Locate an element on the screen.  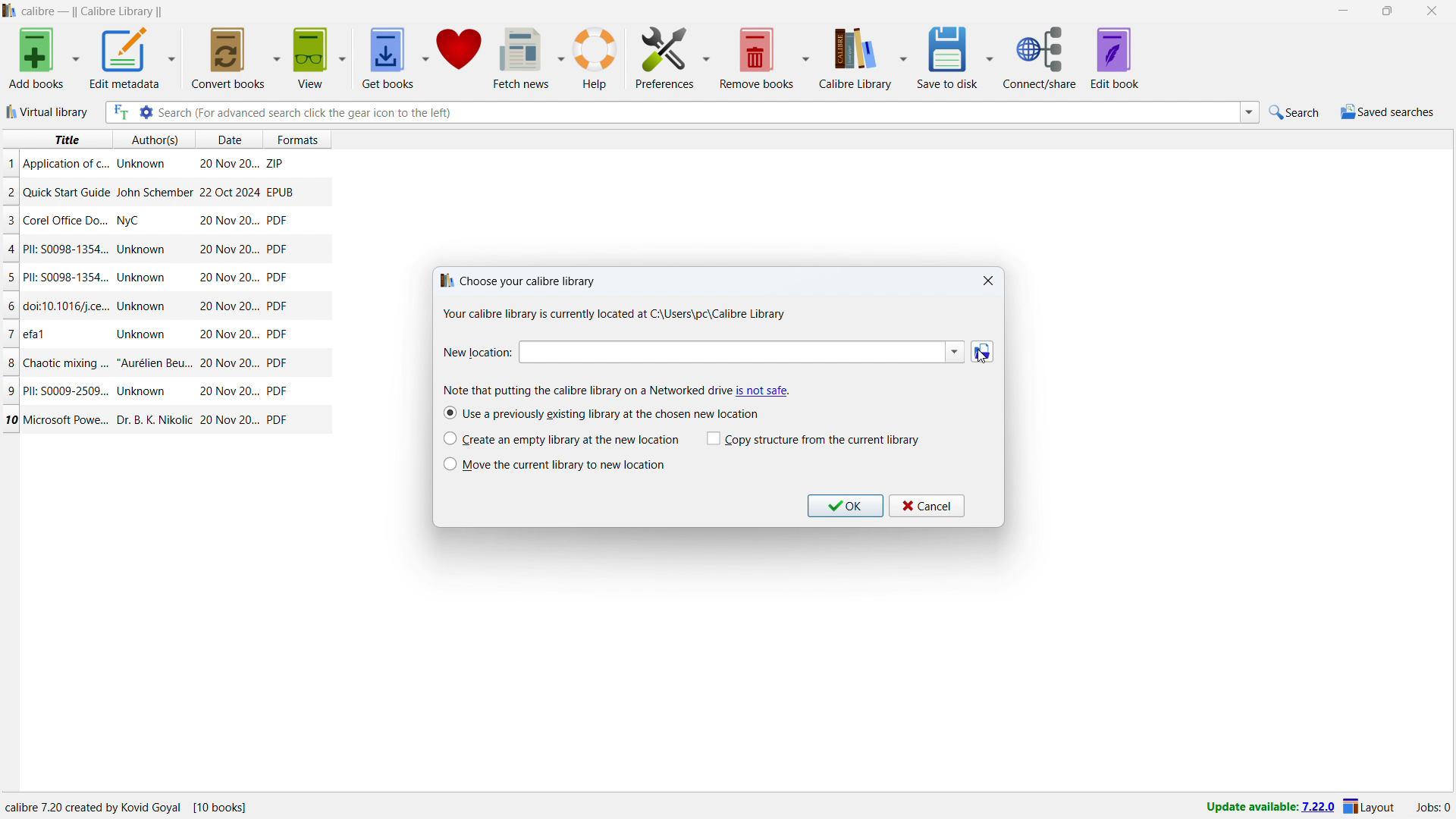
Title is located at coordinates (36, 332).